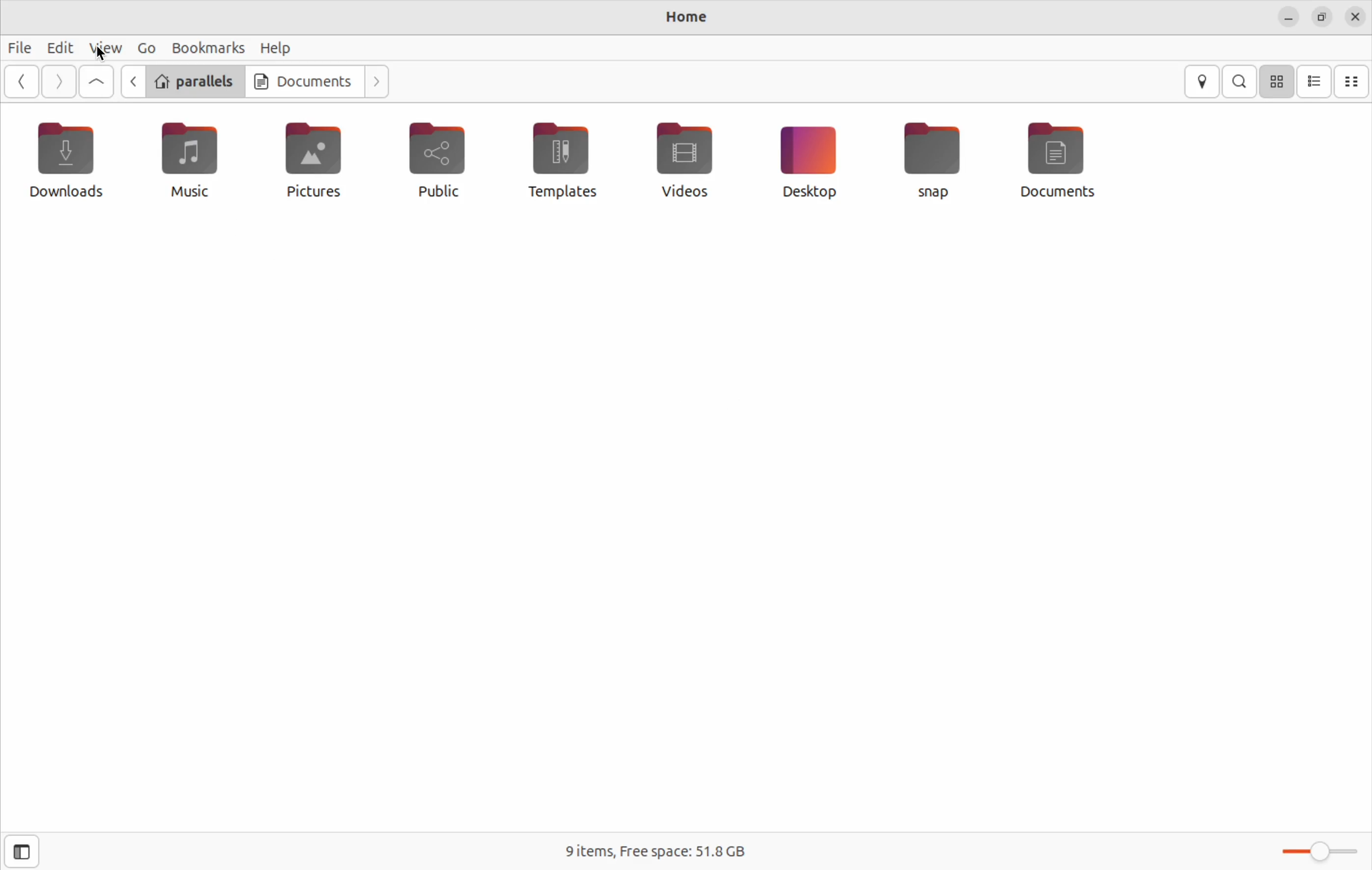 Image resolution: width=1372 pixels, height=870 pixels. What do you see at coordinates (303, 80) in the screenshot?
I see `Documents` at bounding box center [303, 80].